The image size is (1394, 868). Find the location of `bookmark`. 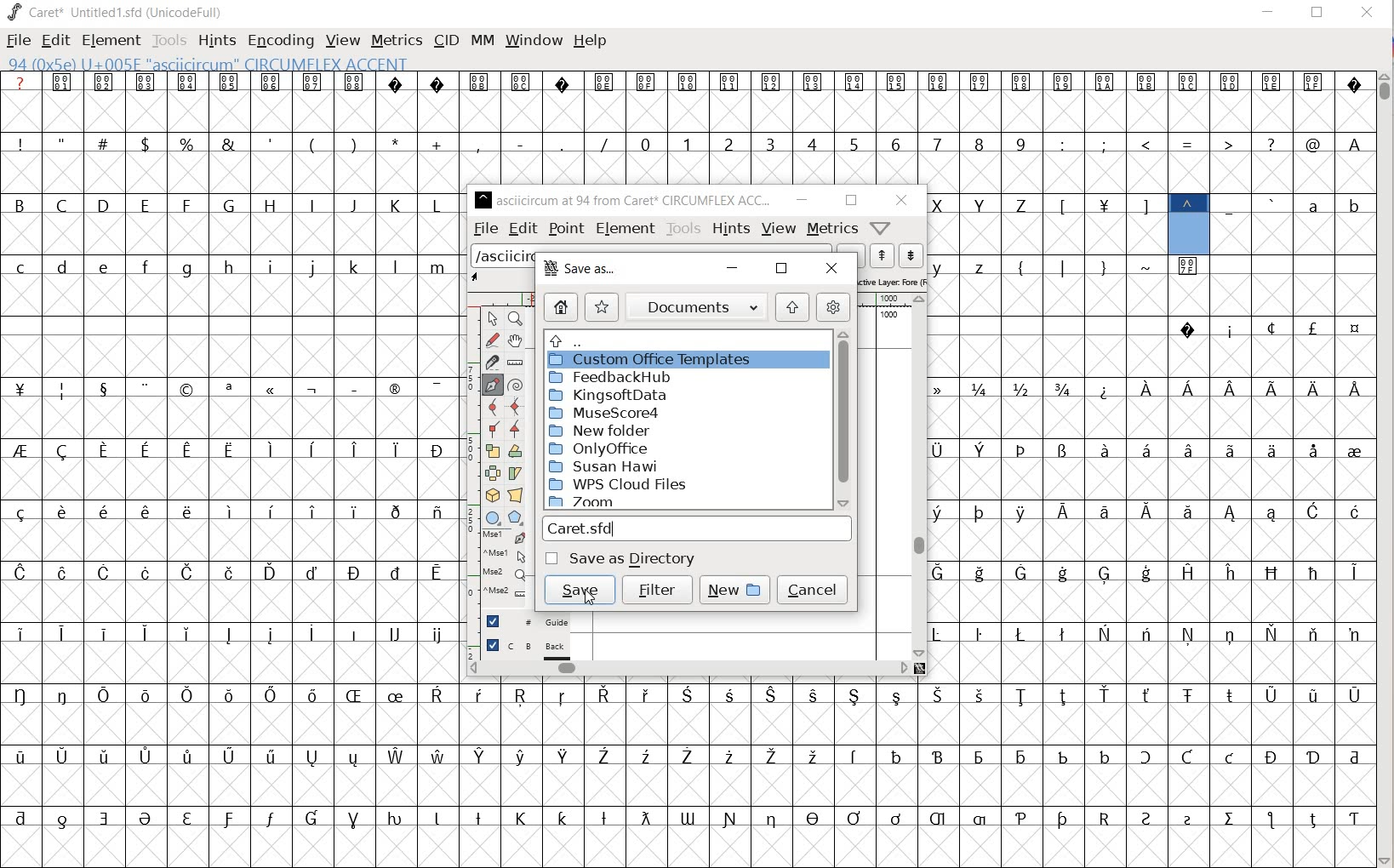

bookmark is located at coordinates (602, 306).